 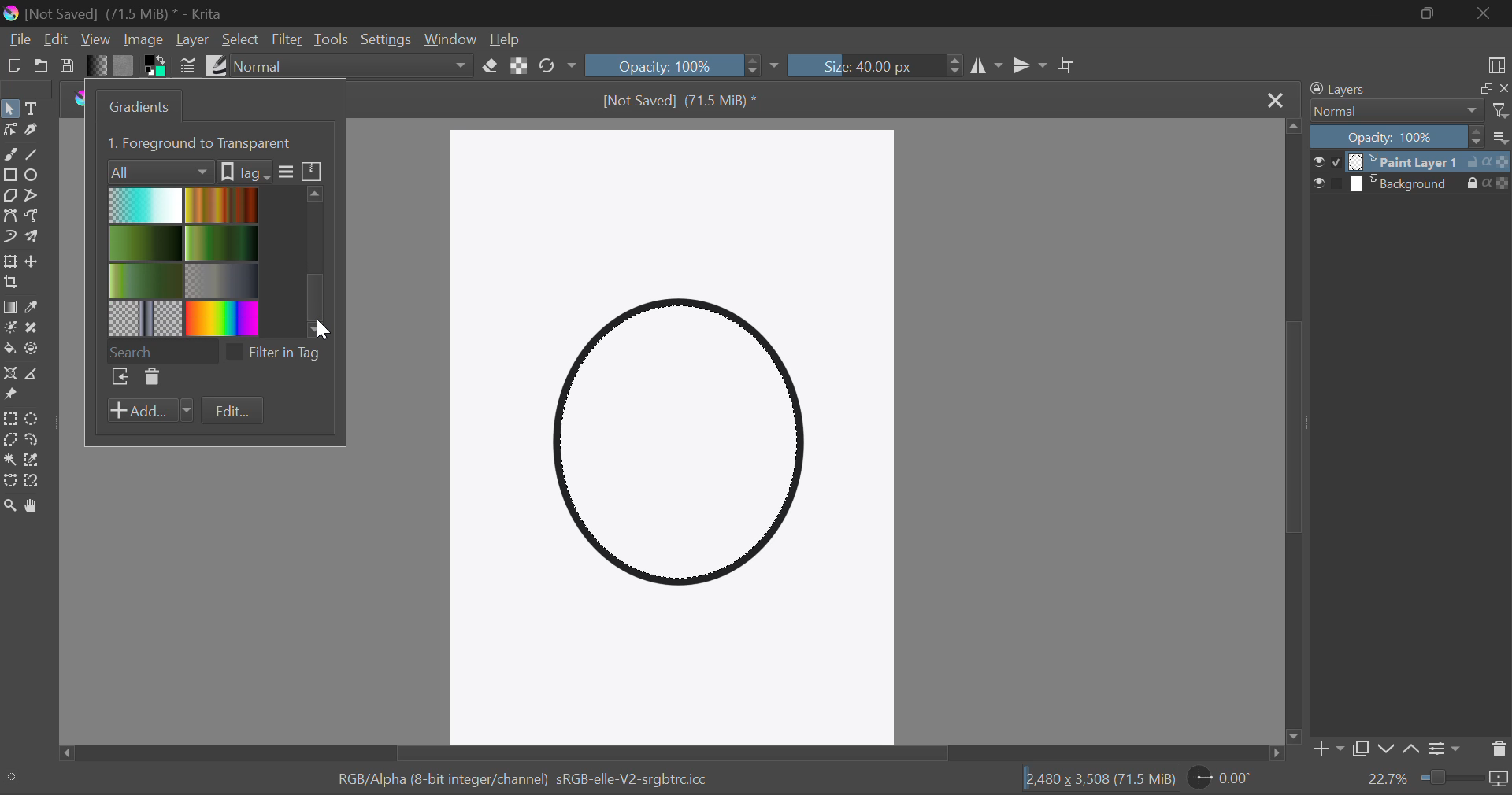 I want to click on Select, so click(x=241, y=42).